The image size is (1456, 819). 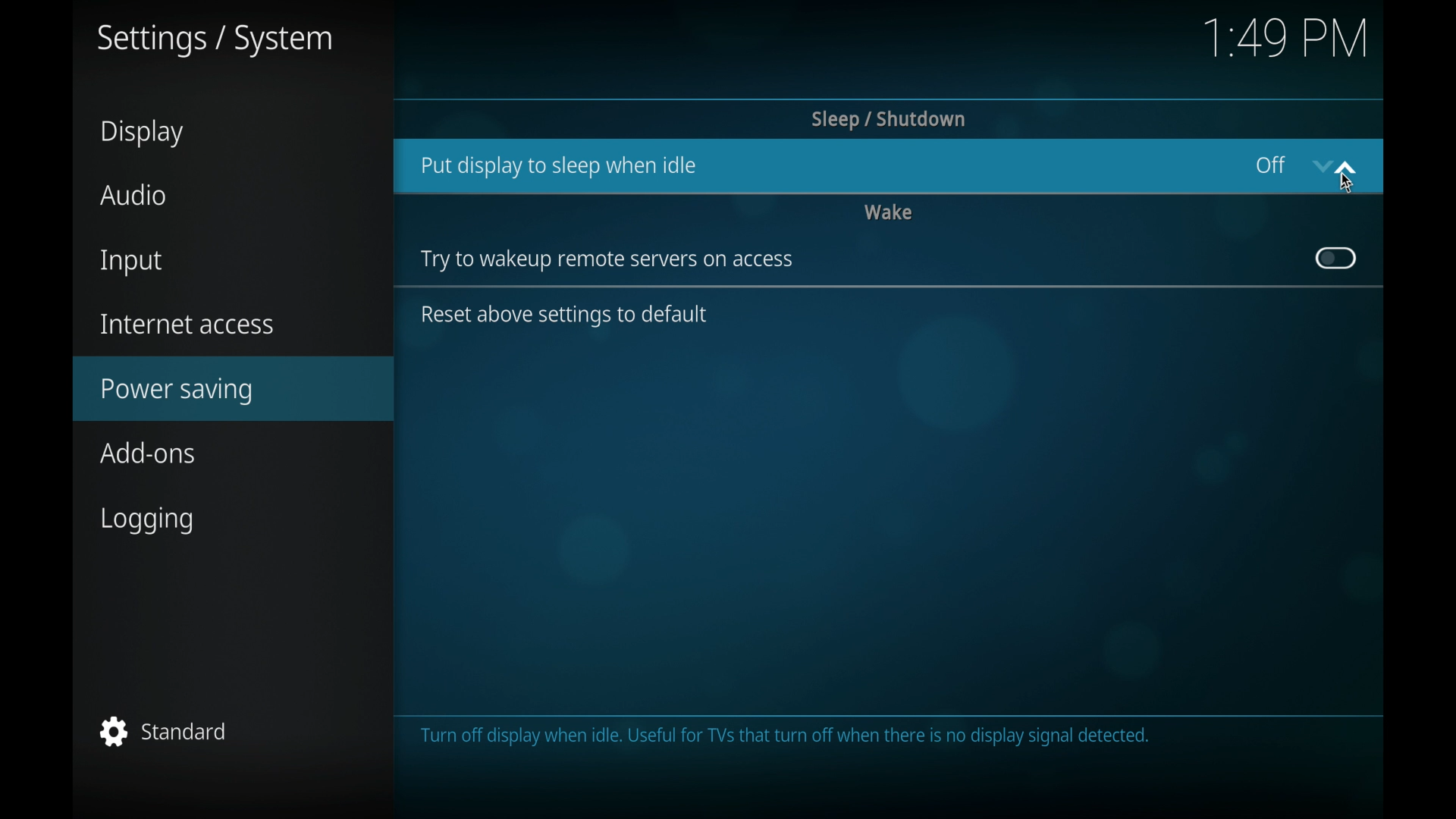 What do you see at coordinates (215, 40) in the screenshot?
I see `settings` at bounding box center [215, 40].